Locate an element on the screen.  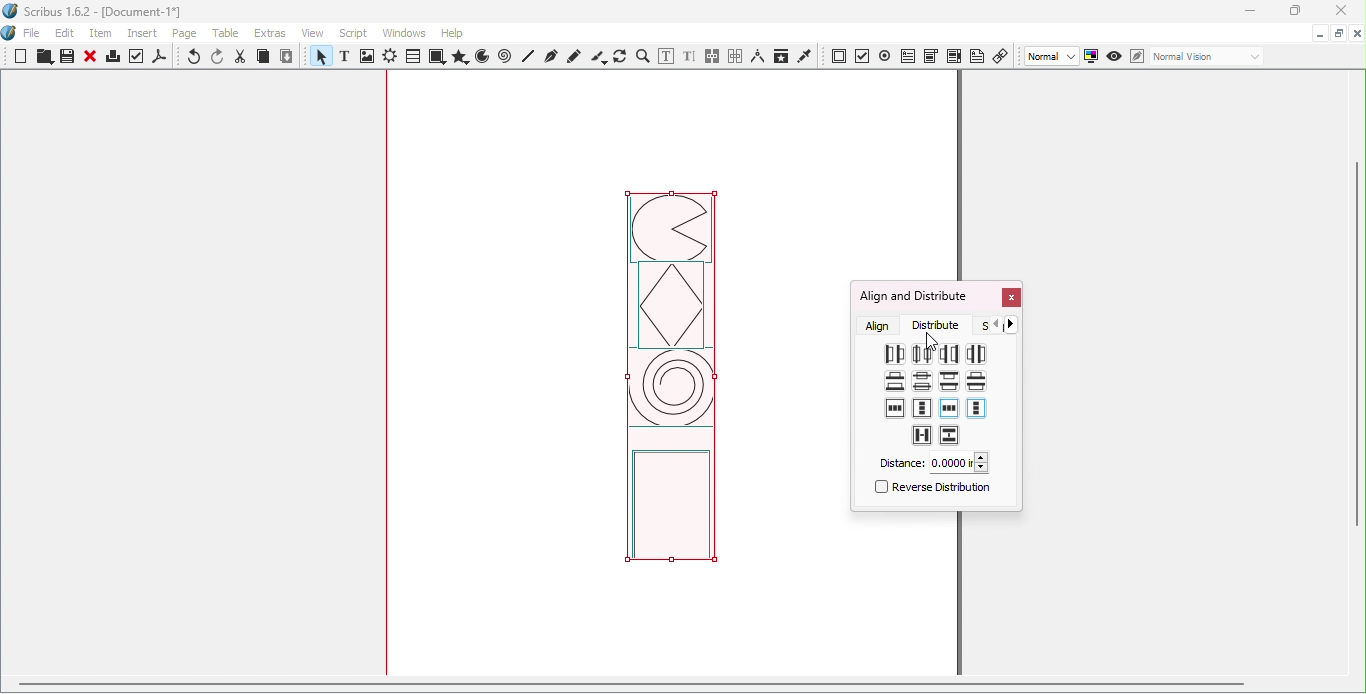
Logo is located at coordinates (10, 34).